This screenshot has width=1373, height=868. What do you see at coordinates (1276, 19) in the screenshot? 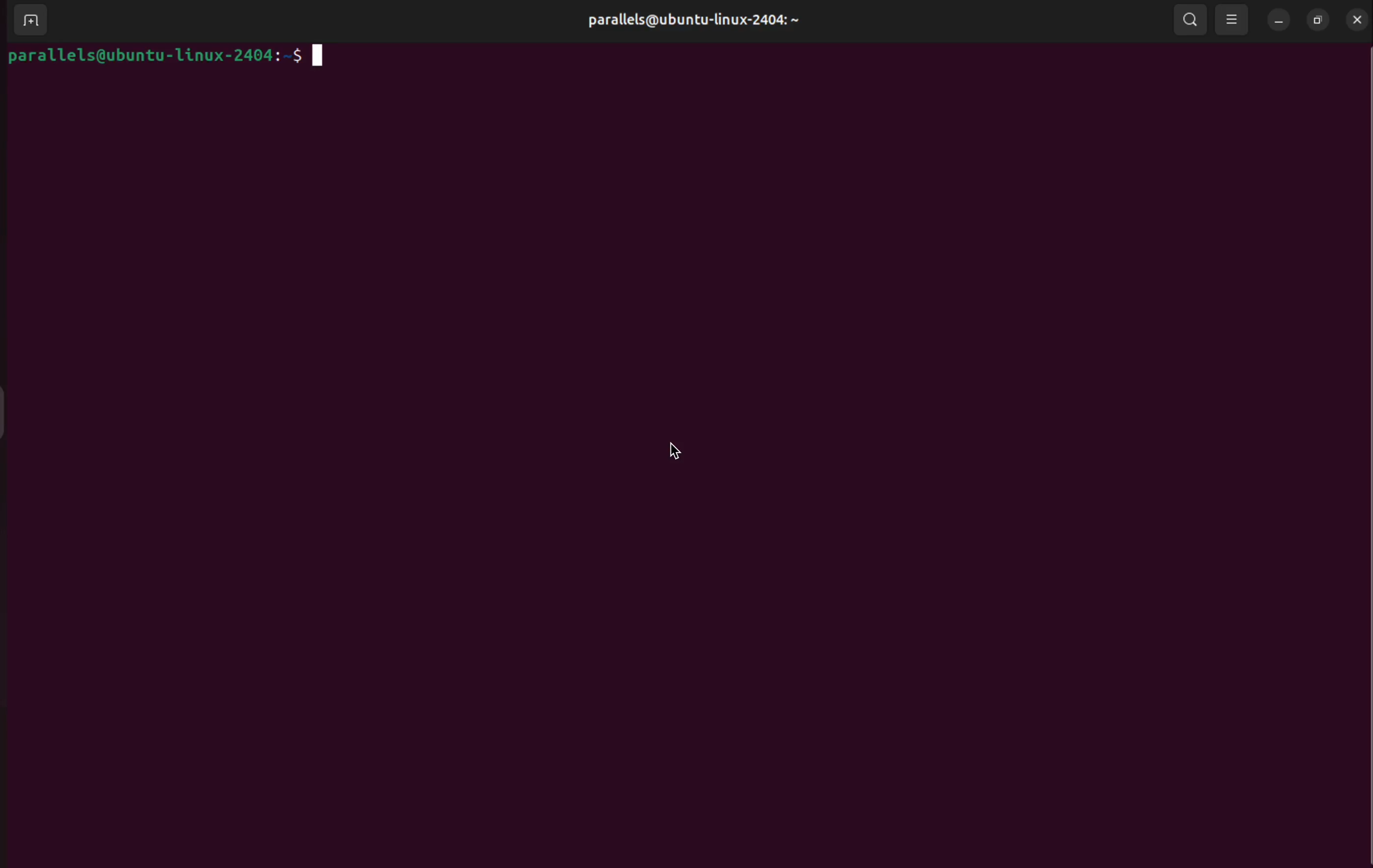
I see `minimize` at bounding box center [1276, 19].